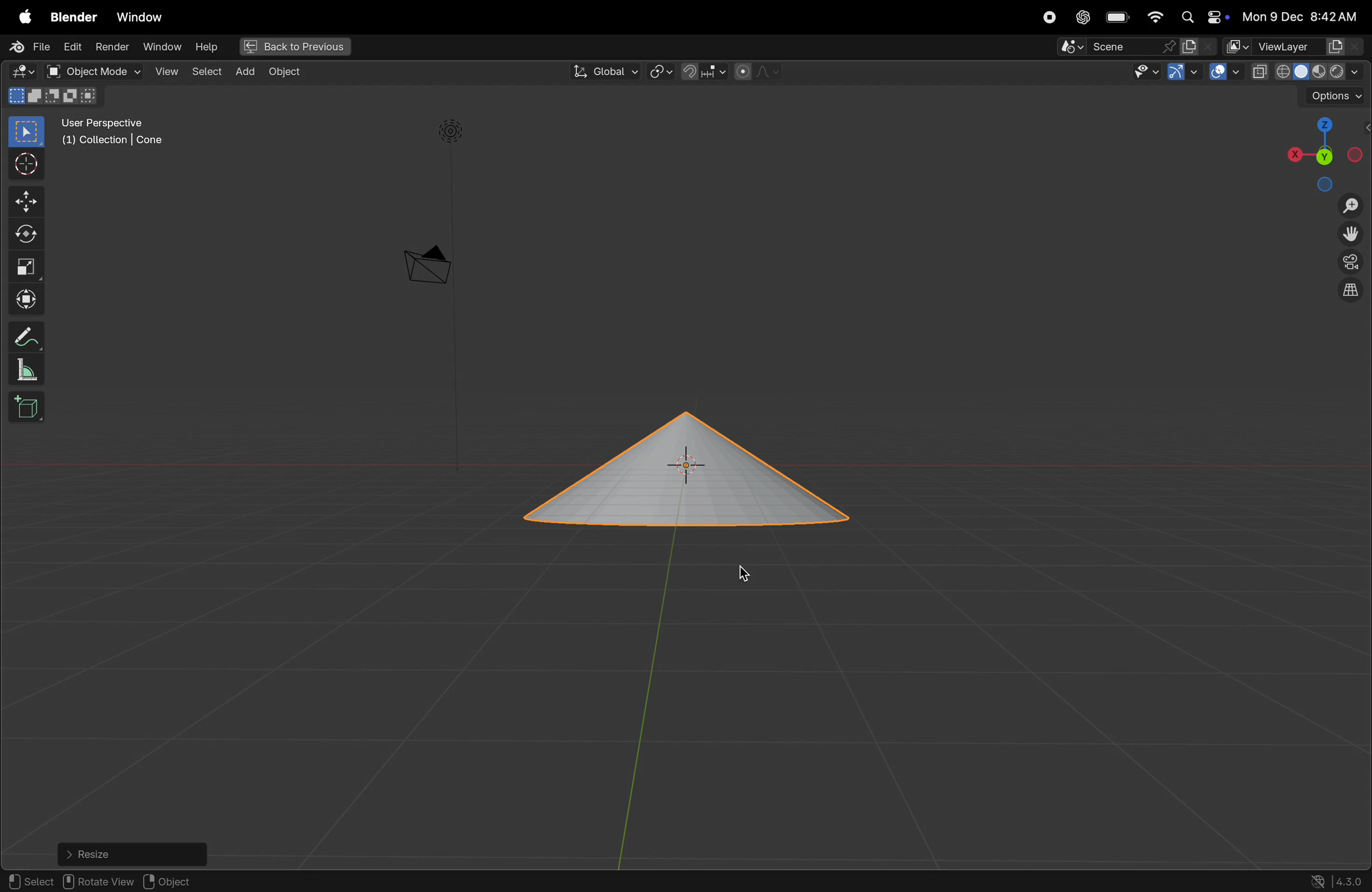 This screenshot has height=892, width=1372. I want to click on orthographic projection, so click(1352, 290).